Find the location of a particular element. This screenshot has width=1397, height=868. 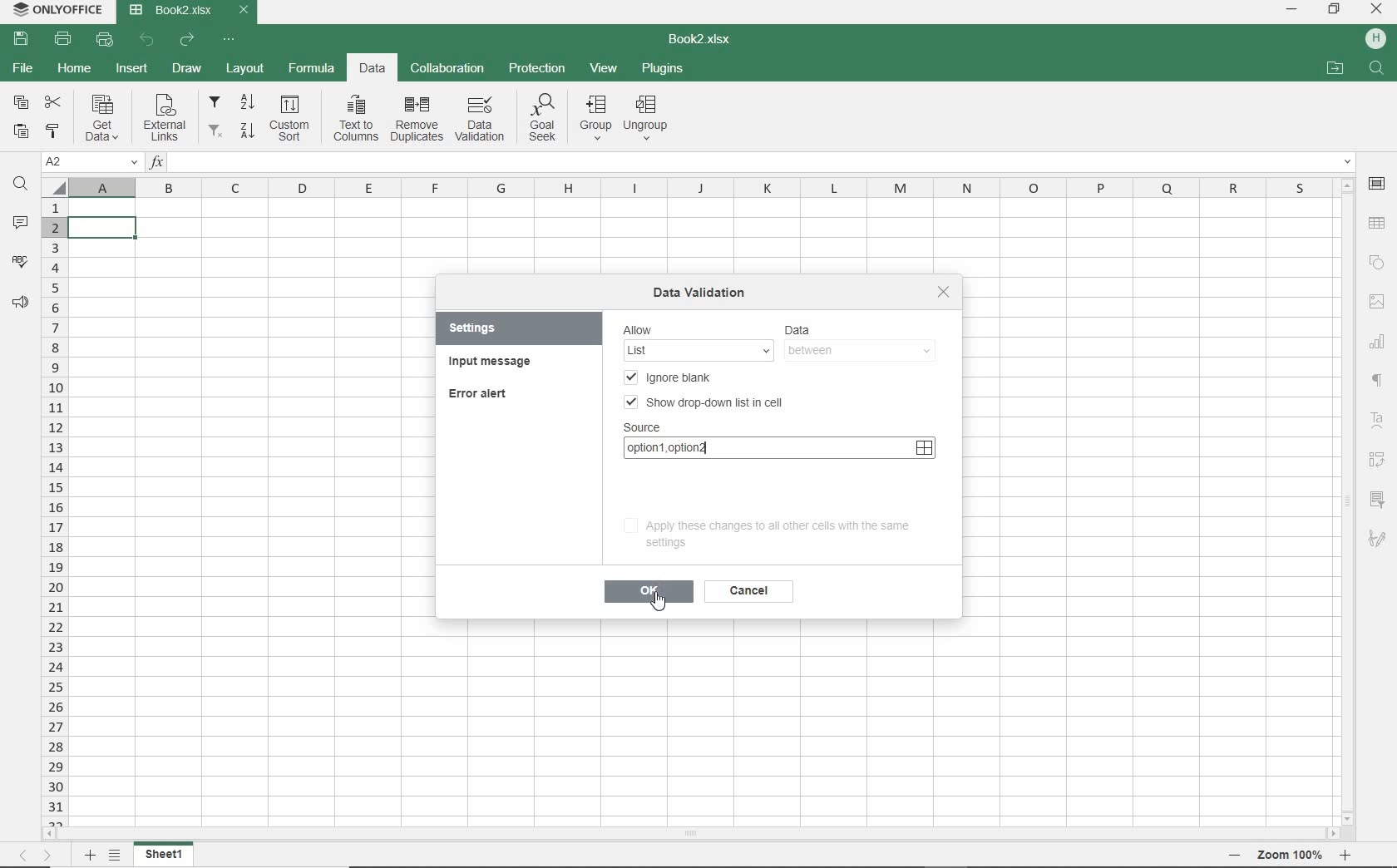

PASTE is located at coordinates (24, 131).